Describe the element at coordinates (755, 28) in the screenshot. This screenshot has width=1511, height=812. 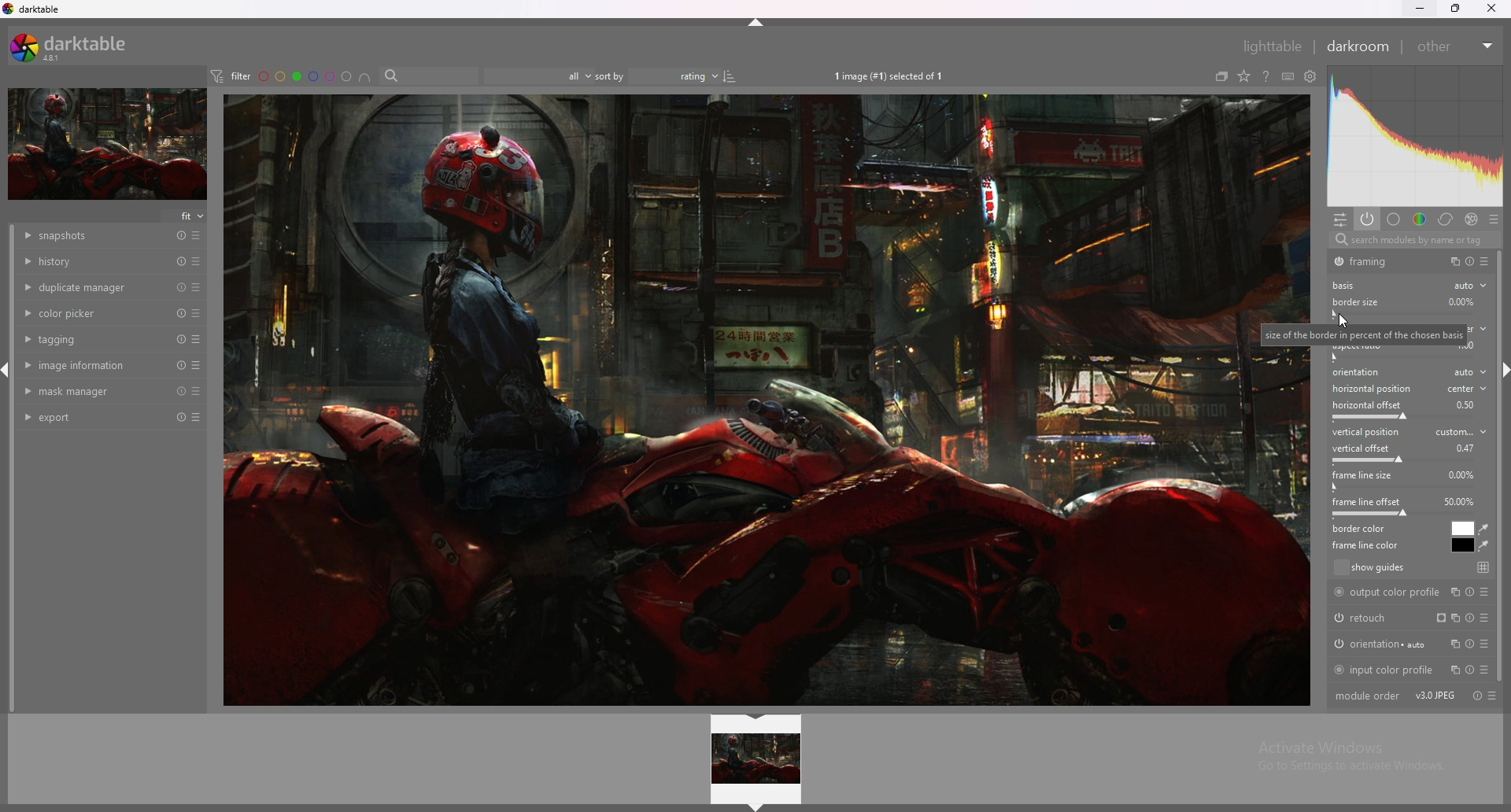
I see `hide panel` at that location.